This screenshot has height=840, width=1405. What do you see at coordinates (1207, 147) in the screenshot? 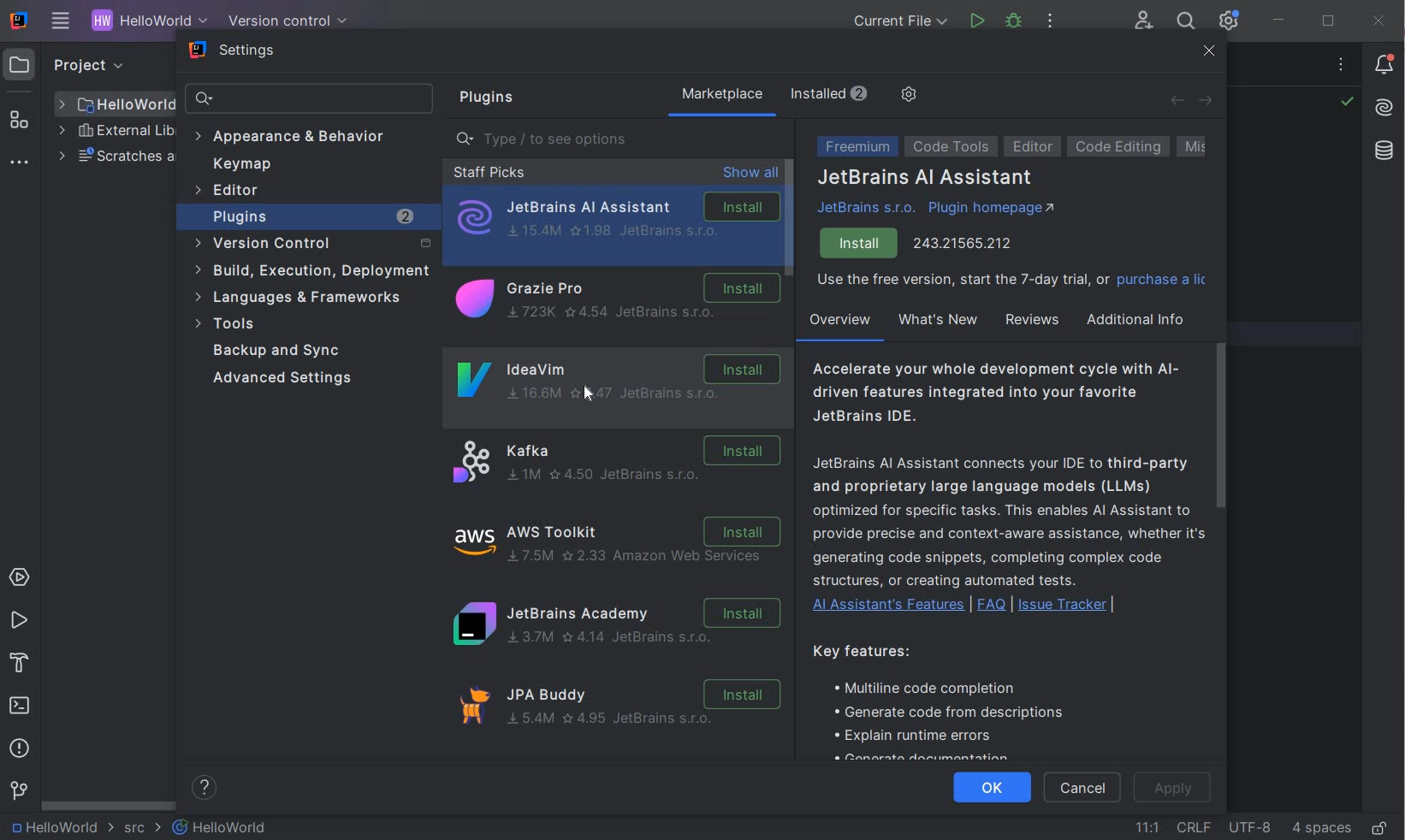
I see `MISC` at bounding box center [1207, 147].